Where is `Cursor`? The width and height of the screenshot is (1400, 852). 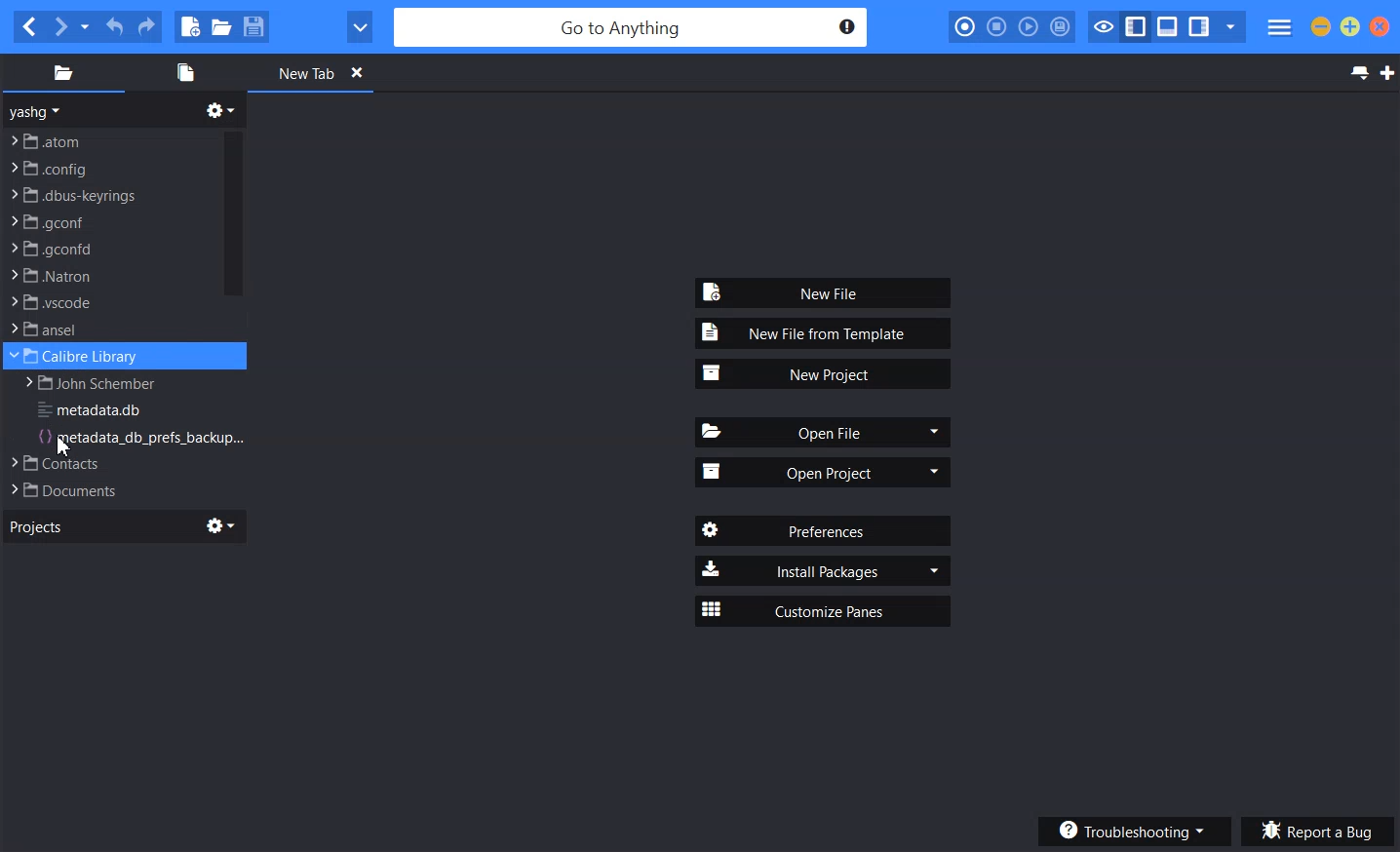
Cursor is located at coordinates (65, 446).